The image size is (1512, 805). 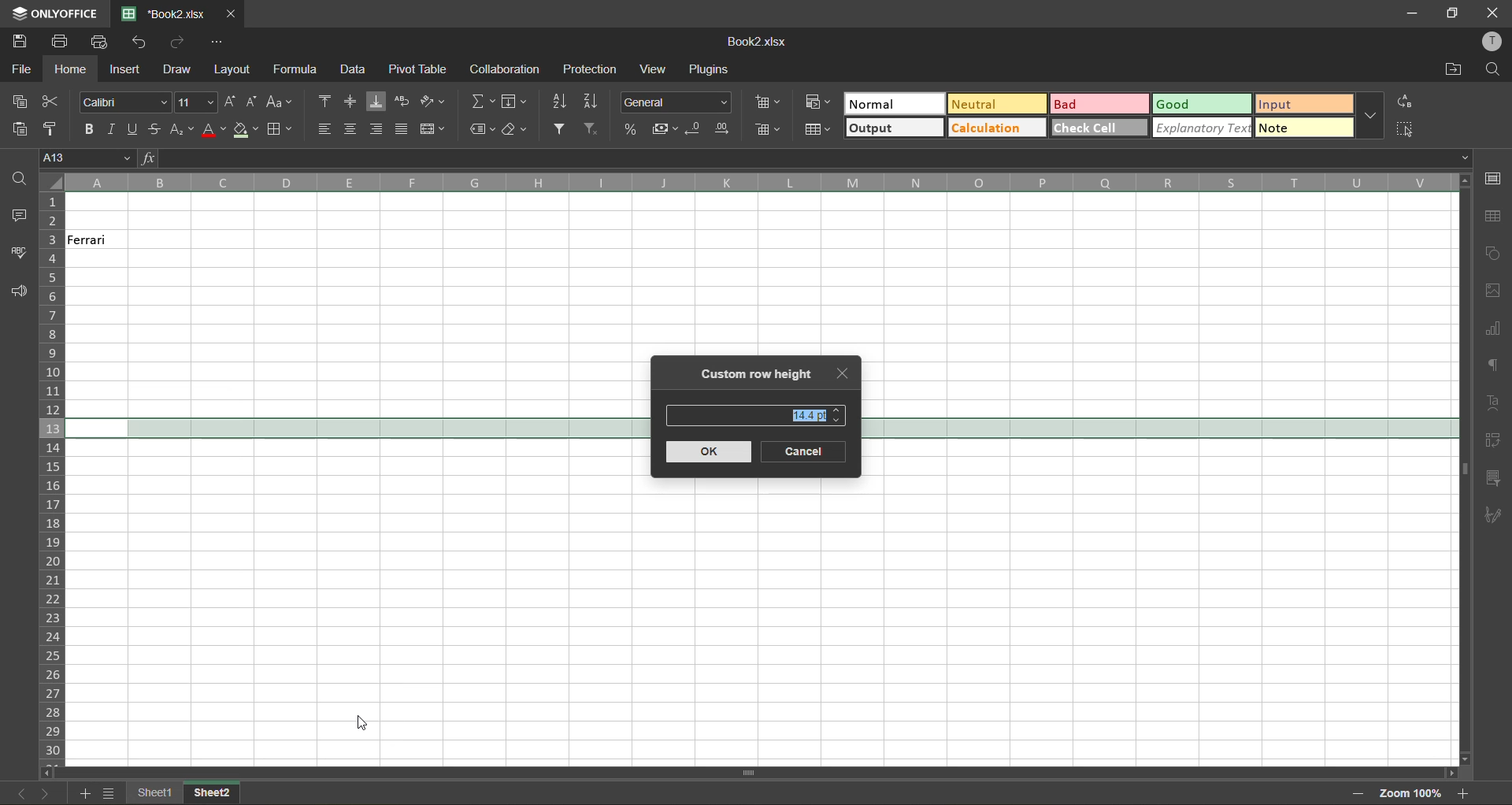 What do you see at coordinates (24, 103) in the screenshot?
I see `copy` at bounding box center [24, 103].